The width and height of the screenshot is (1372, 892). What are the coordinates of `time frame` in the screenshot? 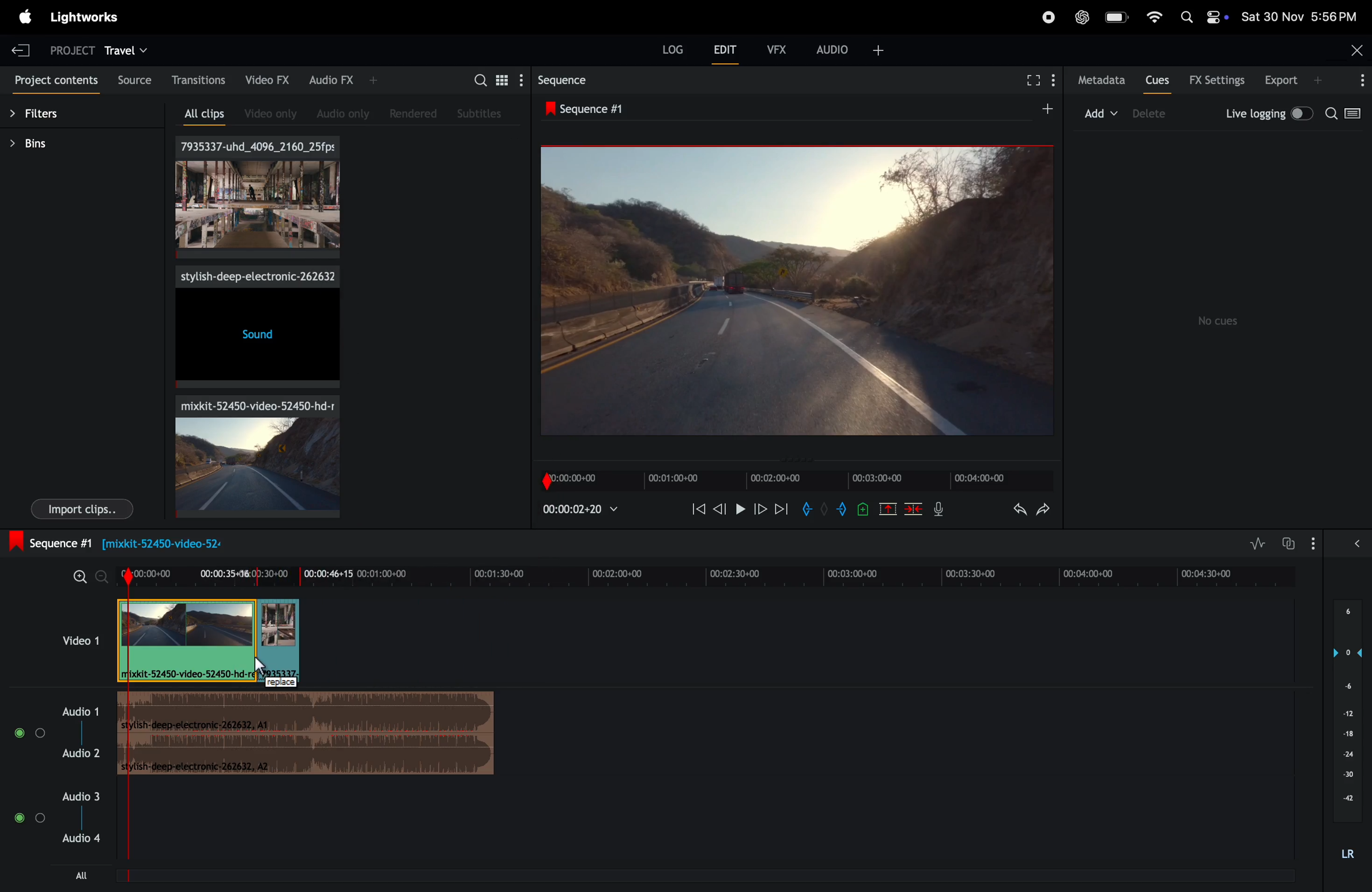 It's located at (706, 572).